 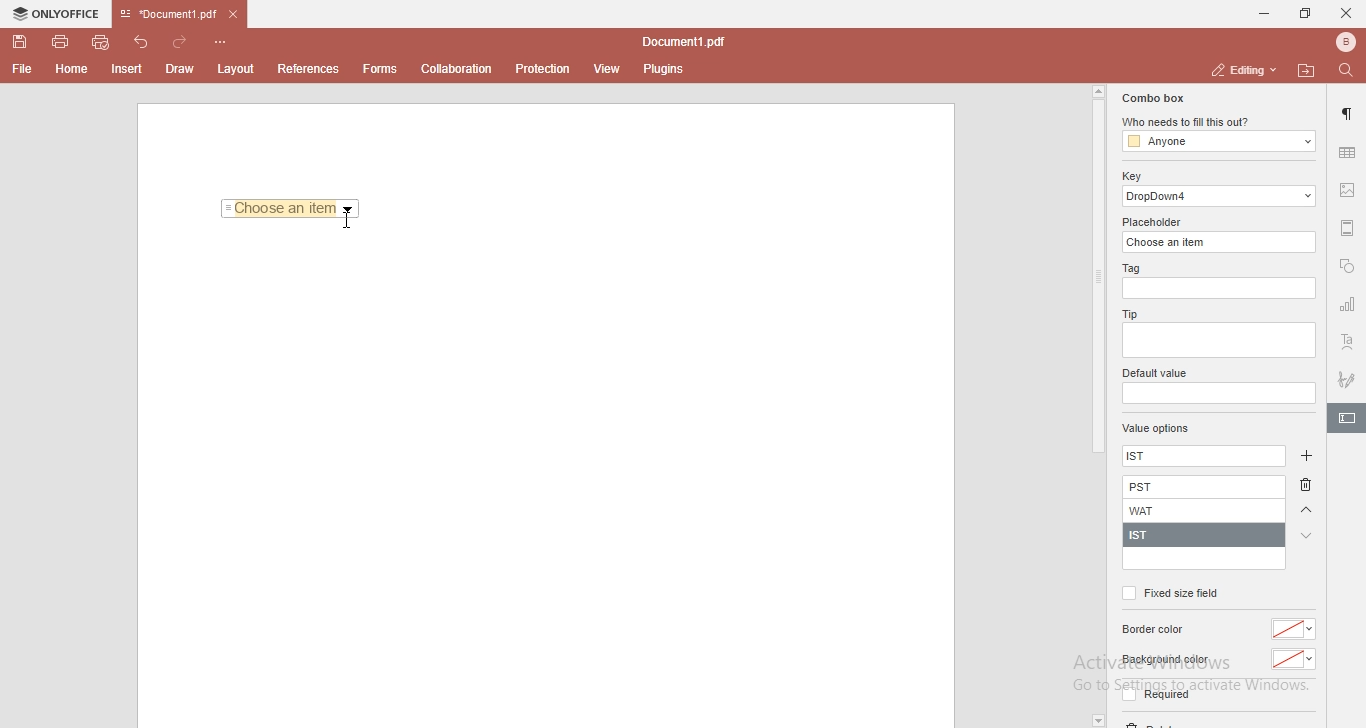 What do you see at coordinates (1157, 374) in the screenshot?
I see `default value` at bounding box center [1157, 374].